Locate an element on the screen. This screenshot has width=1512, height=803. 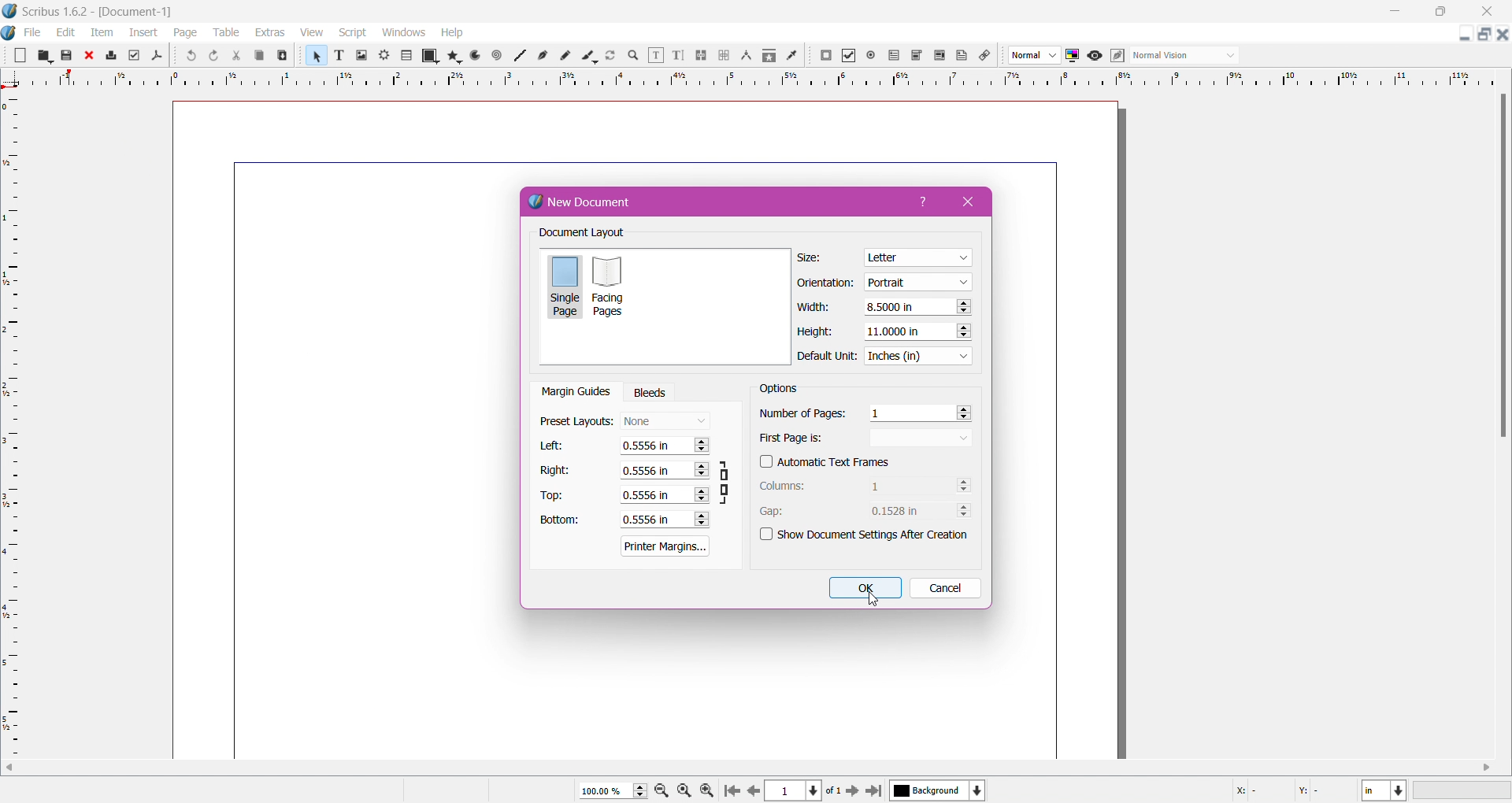
0.1528 in : is located at coordinates (916, 513).